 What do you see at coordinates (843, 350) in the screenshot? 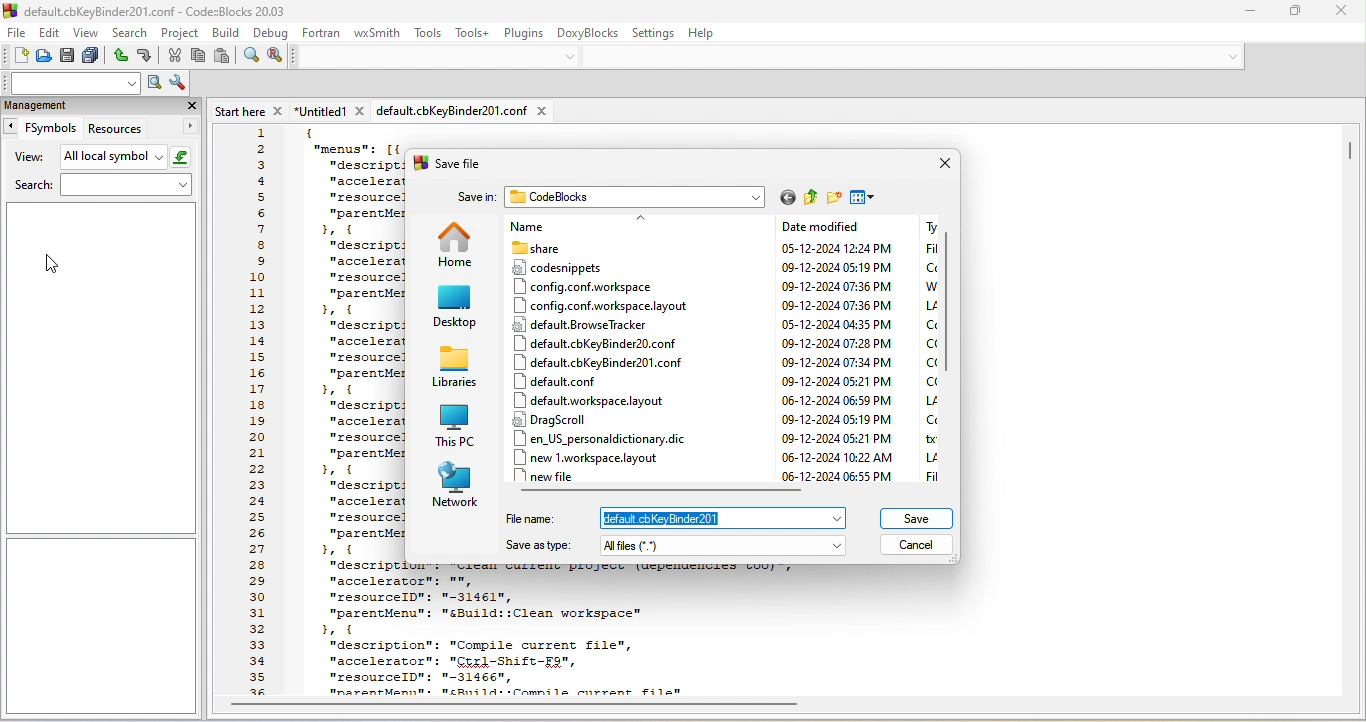
I see `date modified` at bounding box center [843, 350].